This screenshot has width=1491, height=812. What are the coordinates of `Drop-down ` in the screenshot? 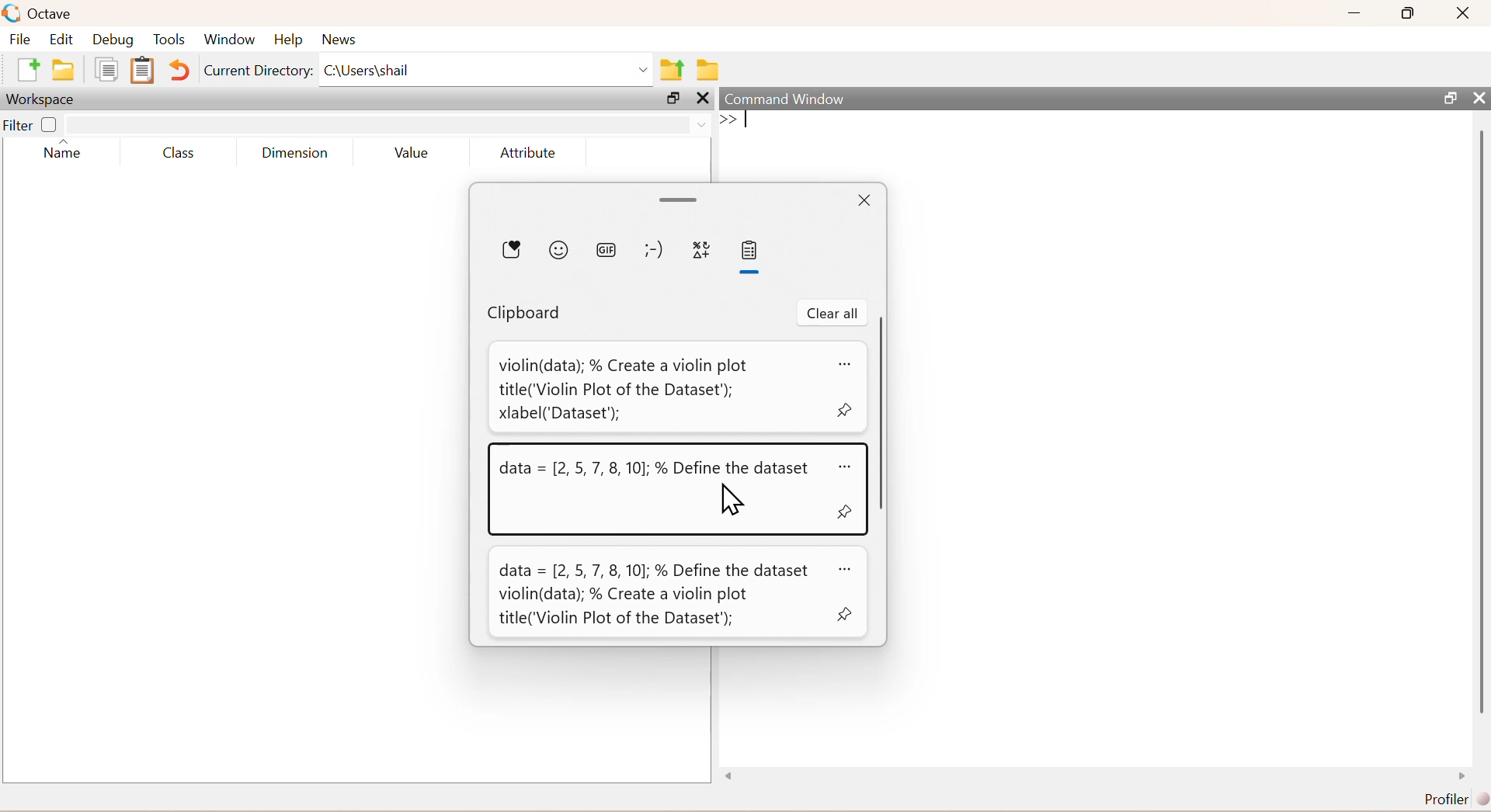 It's located at (703, 125).